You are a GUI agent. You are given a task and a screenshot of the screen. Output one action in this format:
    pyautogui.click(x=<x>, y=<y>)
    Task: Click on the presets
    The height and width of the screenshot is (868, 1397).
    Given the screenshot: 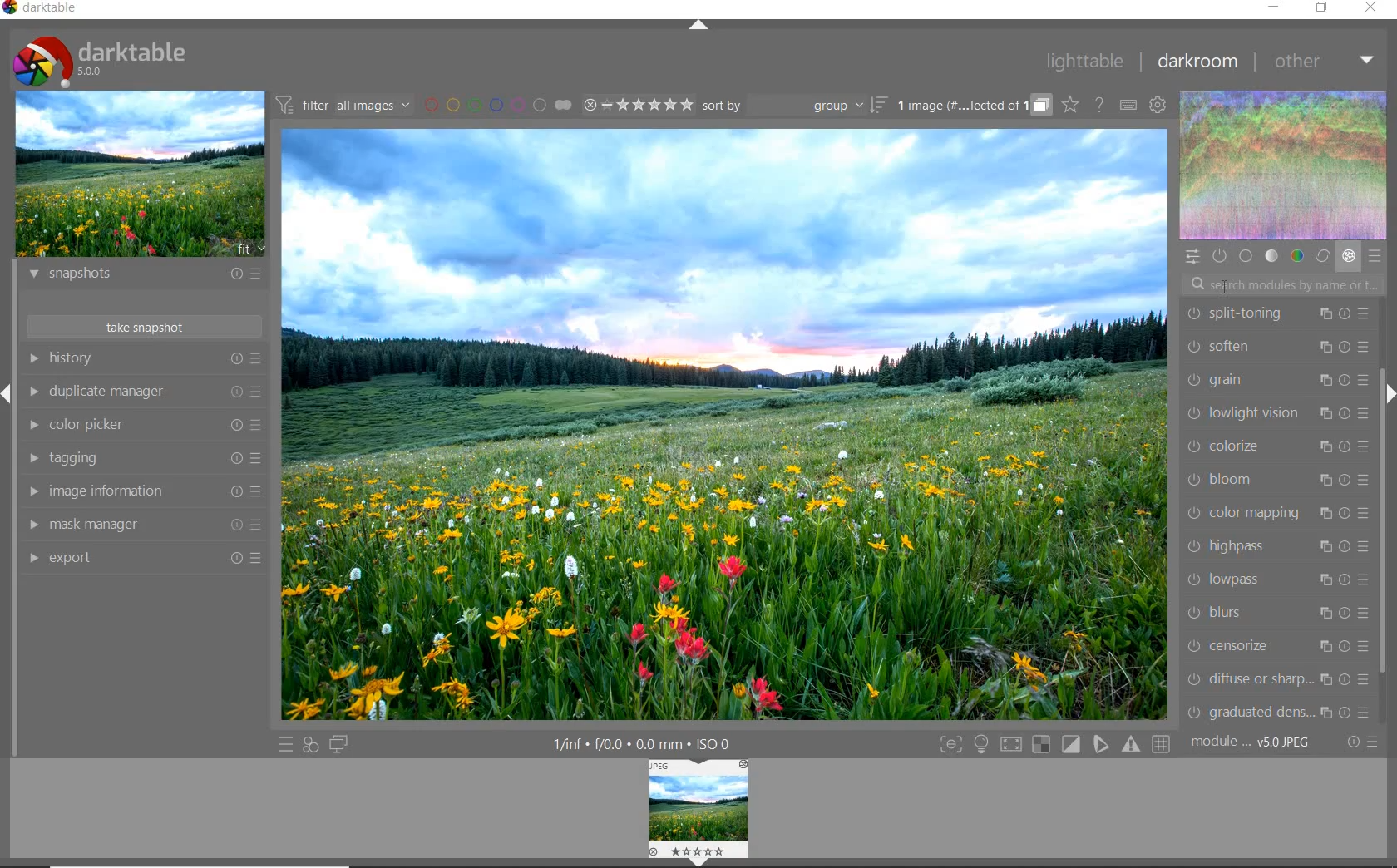 What is the action you would take?
    pyautogui.click(x=1374, y=256)
    